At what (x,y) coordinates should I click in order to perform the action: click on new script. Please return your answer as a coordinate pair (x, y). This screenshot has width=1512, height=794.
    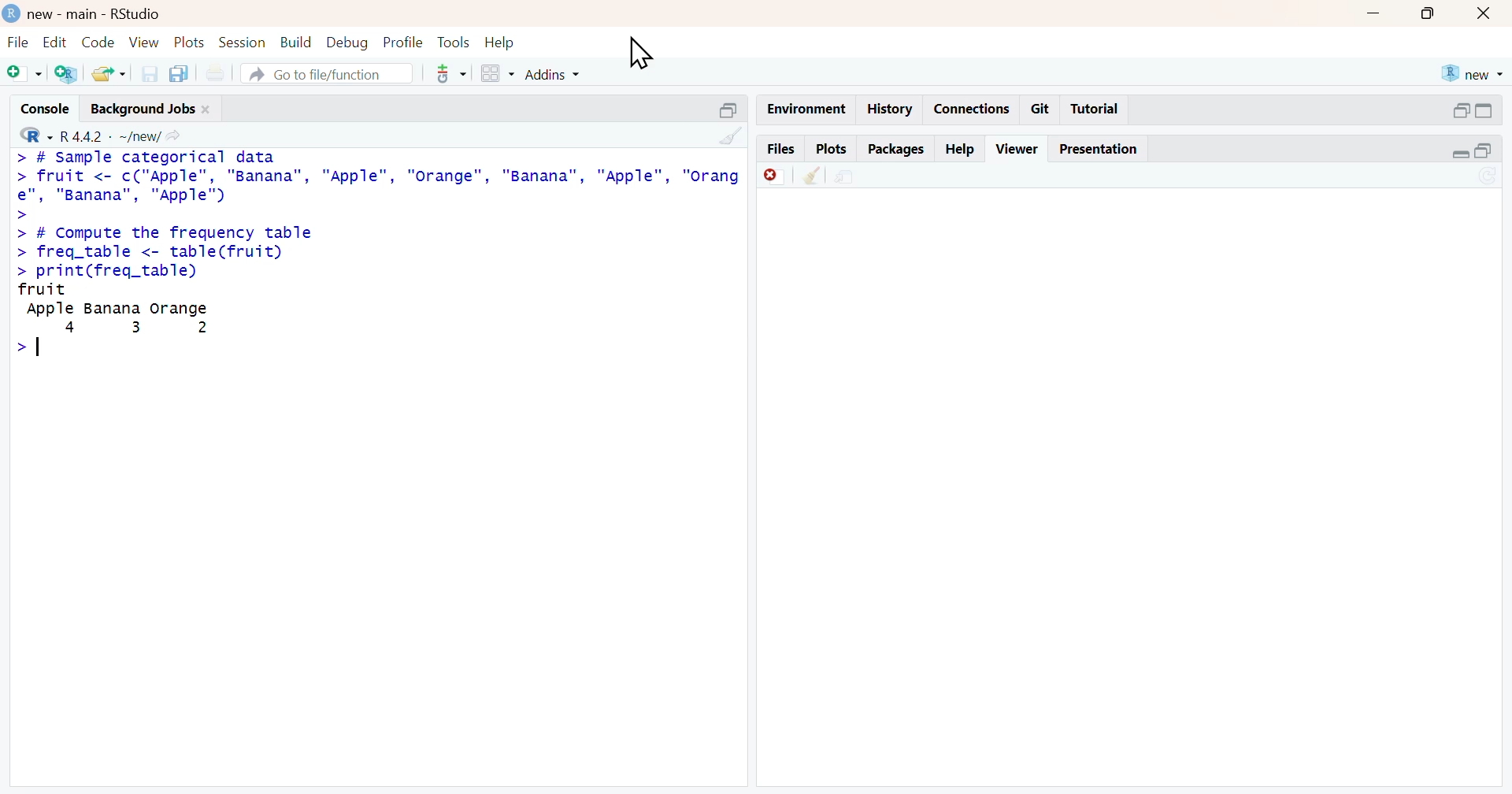
    Looking at the image, I should click on (24, 74).